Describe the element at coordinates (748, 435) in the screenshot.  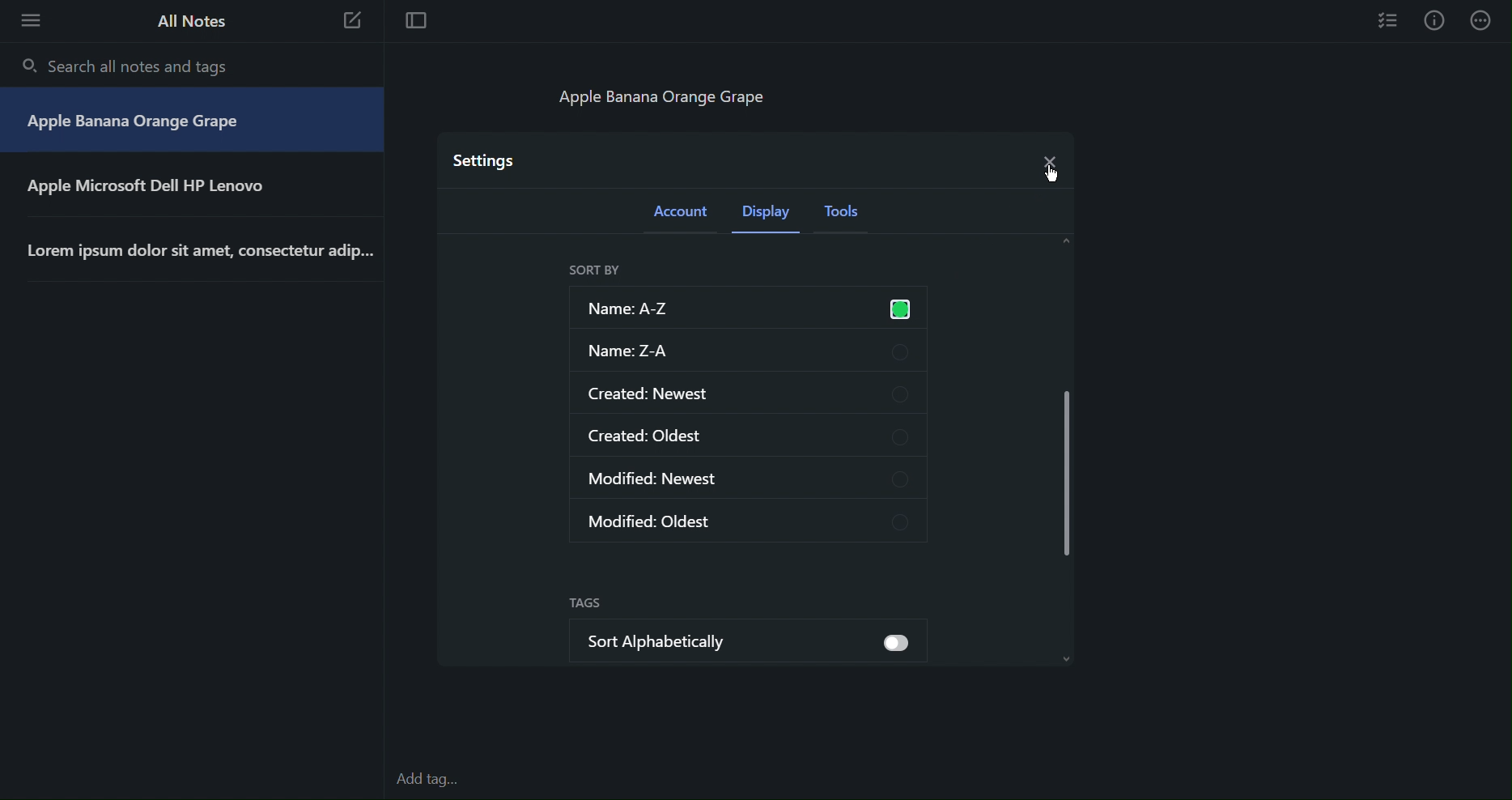
I see `Created: Oldest` at that location.